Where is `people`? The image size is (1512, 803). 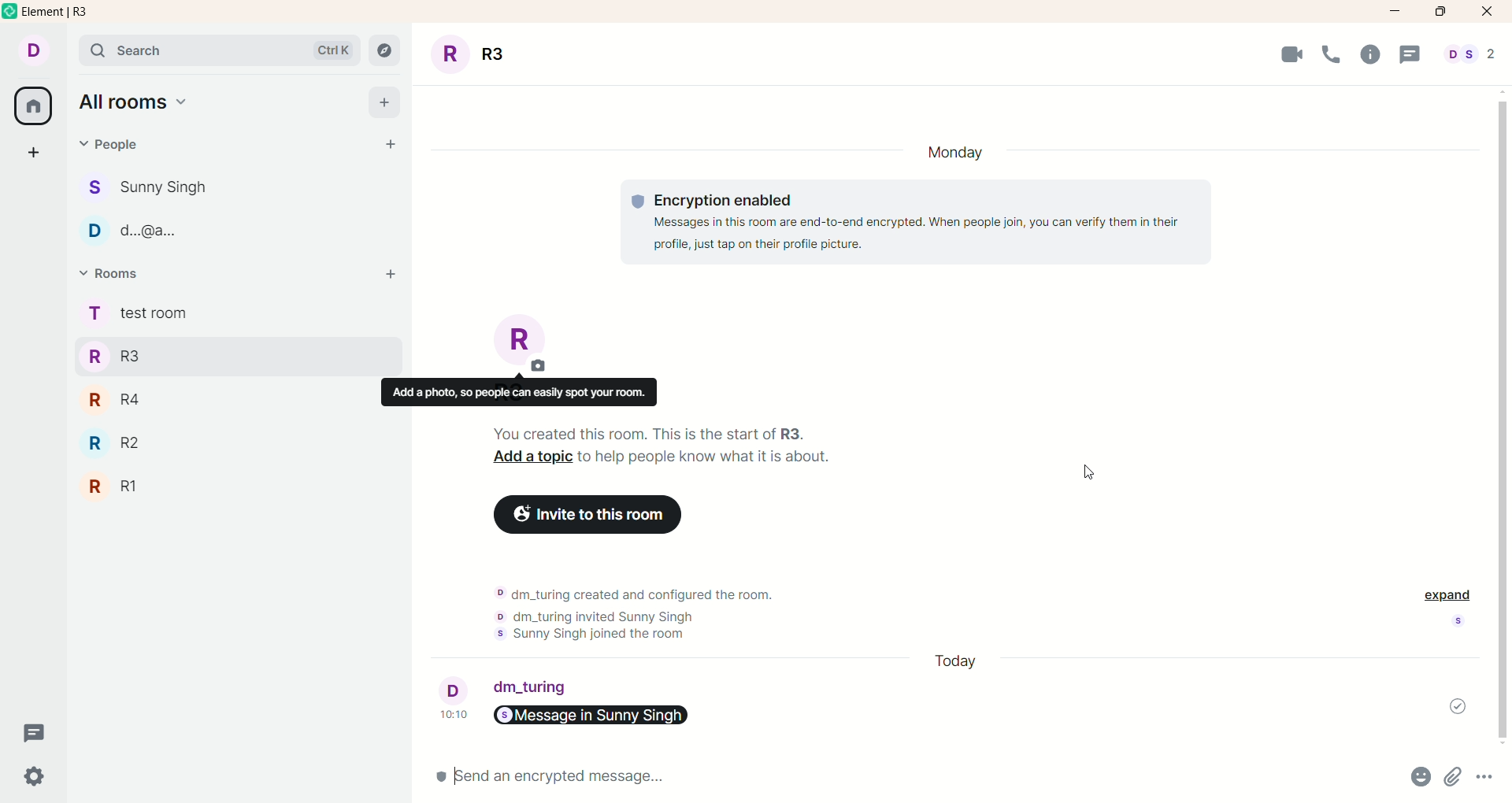
people is located at coordinates (113, 143).